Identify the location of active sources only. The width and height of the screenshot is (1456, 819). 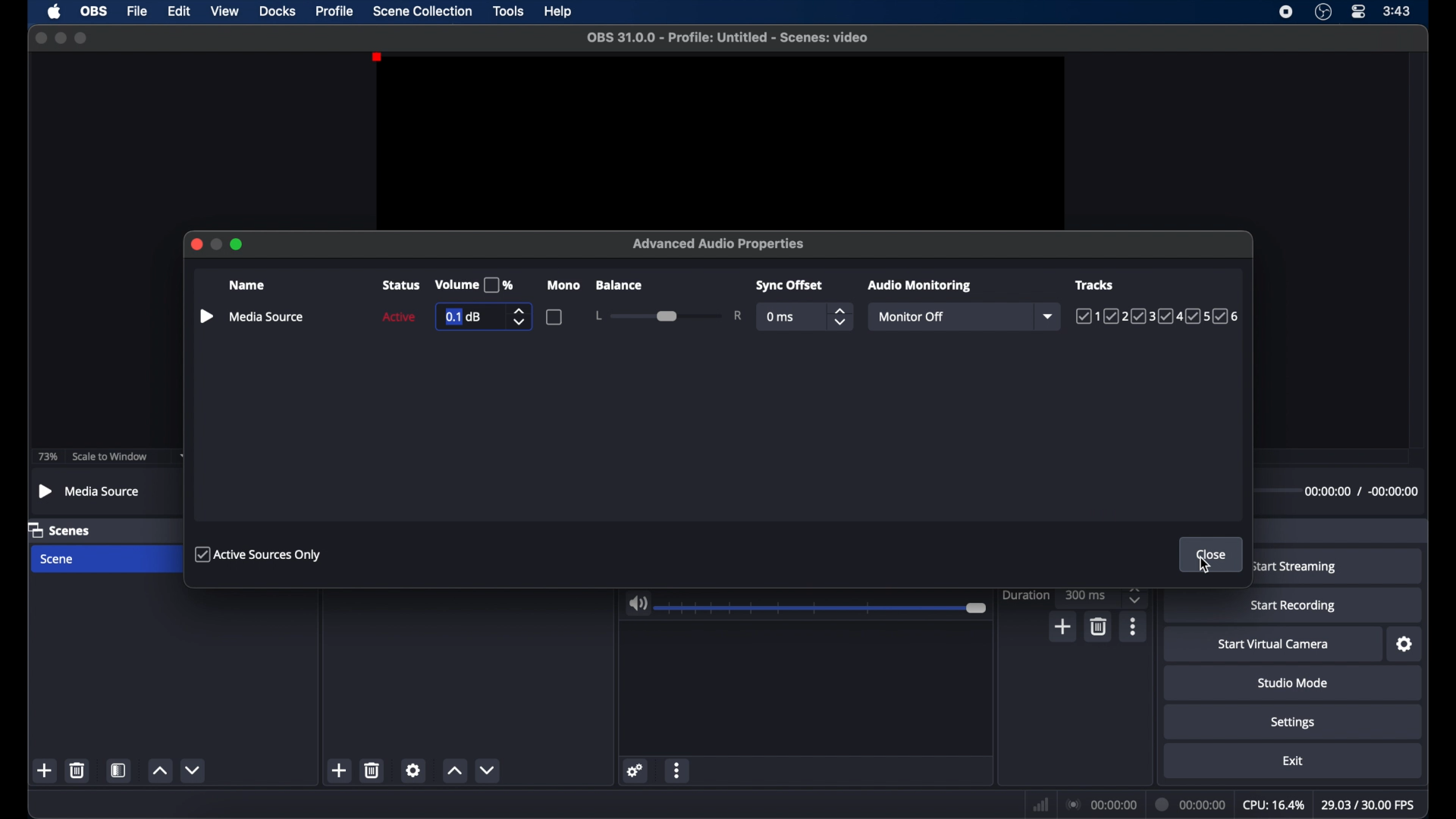
(259, 554).